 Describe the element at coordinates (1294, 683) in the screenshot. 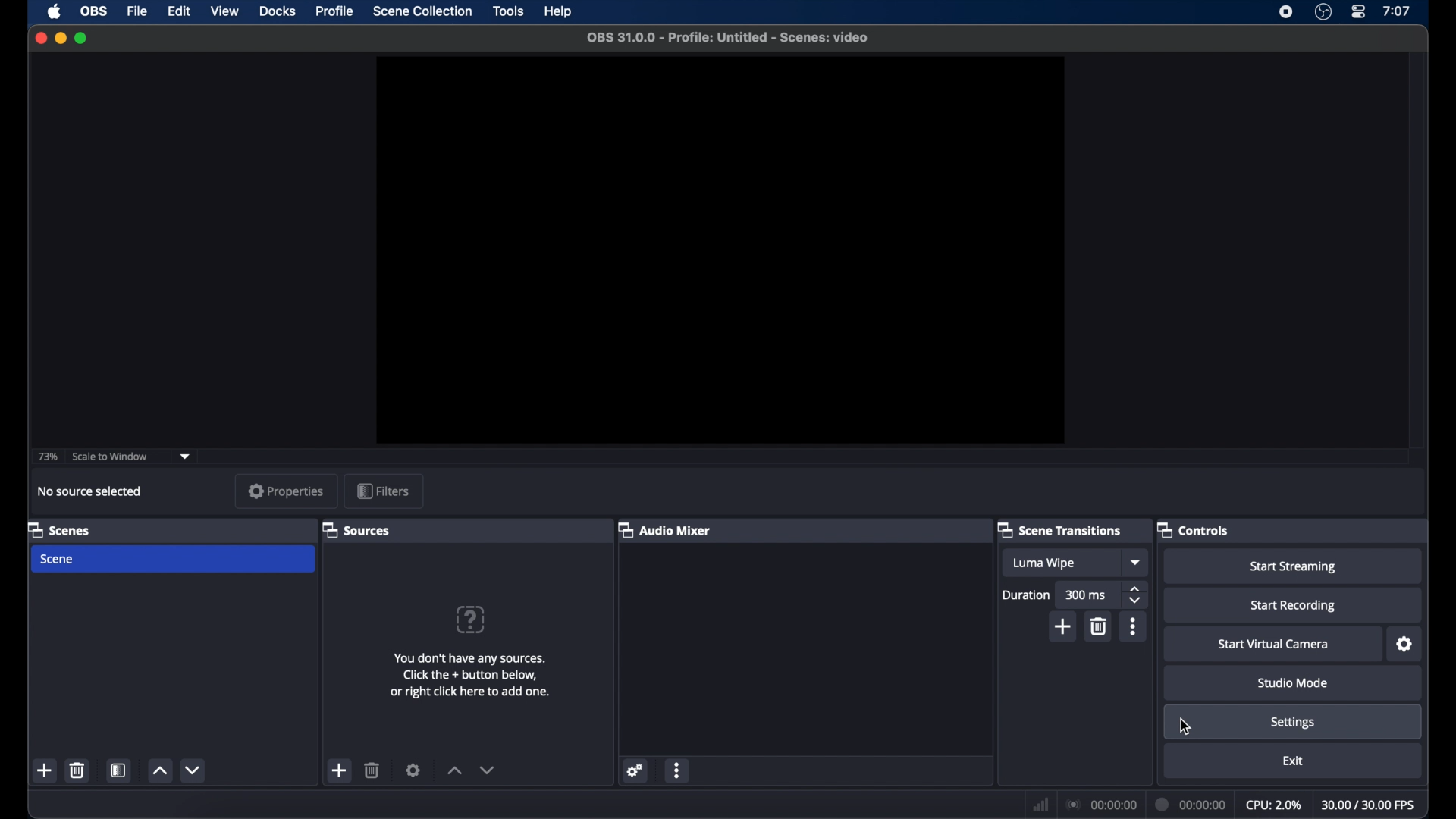

I see `studio mode` at that location.